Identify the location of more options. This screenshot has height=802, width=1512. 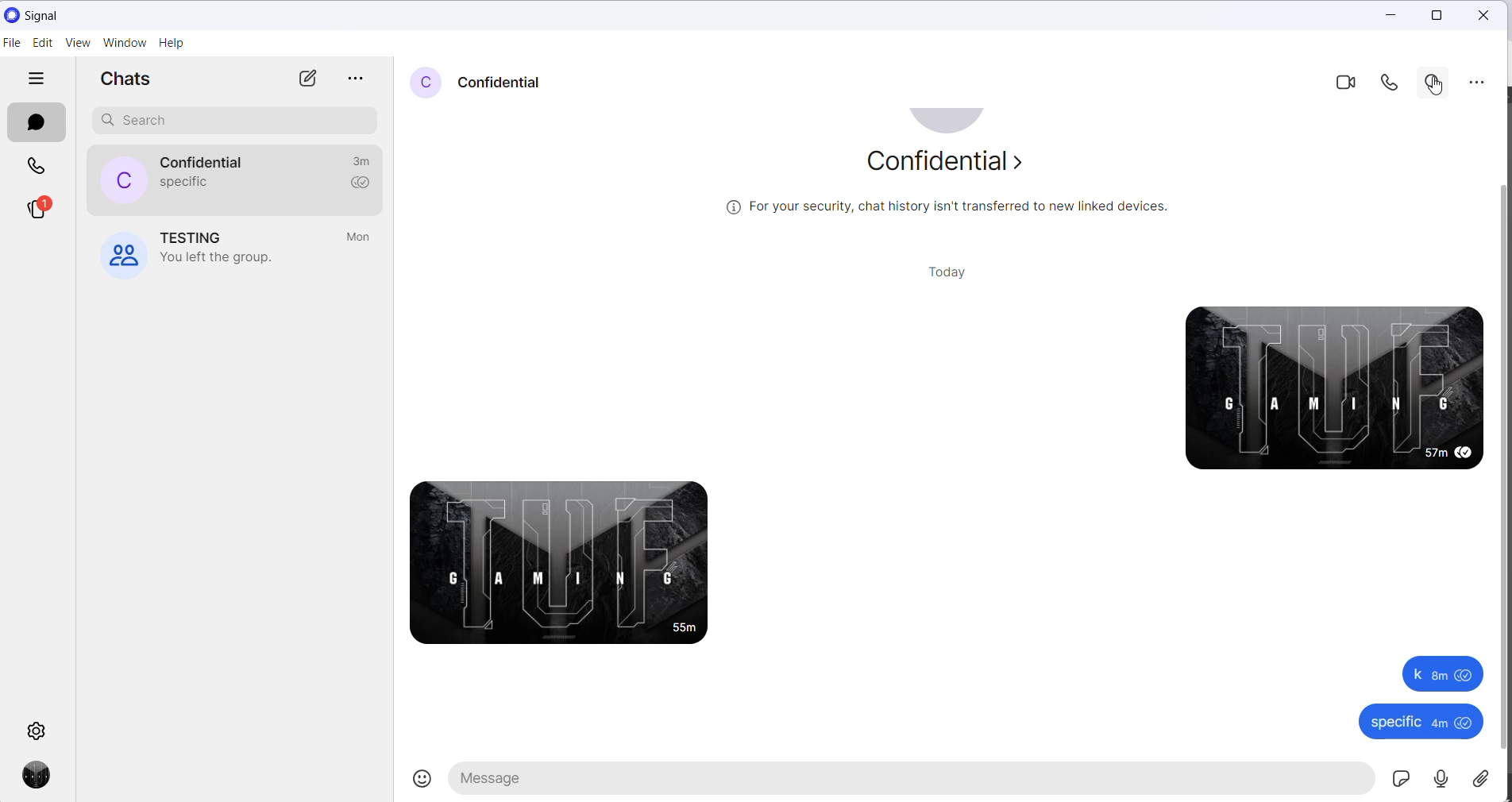
(353, 81).